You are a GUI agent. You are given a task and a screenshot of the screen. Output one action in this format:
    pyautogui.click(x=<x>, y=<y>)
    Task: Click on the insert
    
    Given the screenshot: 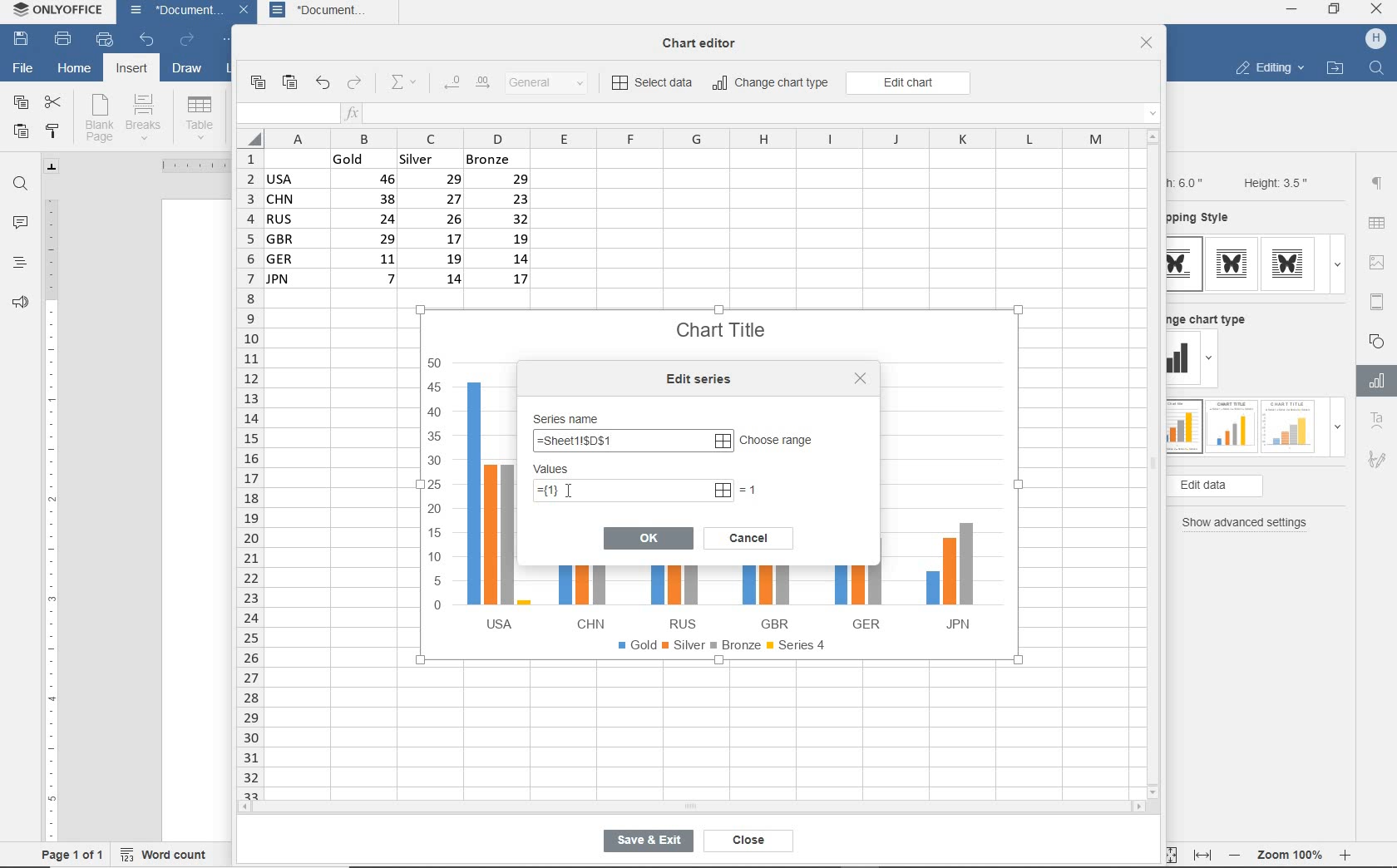 What is the action you would take?
    pyautogui.click(x=130, y=70)
    